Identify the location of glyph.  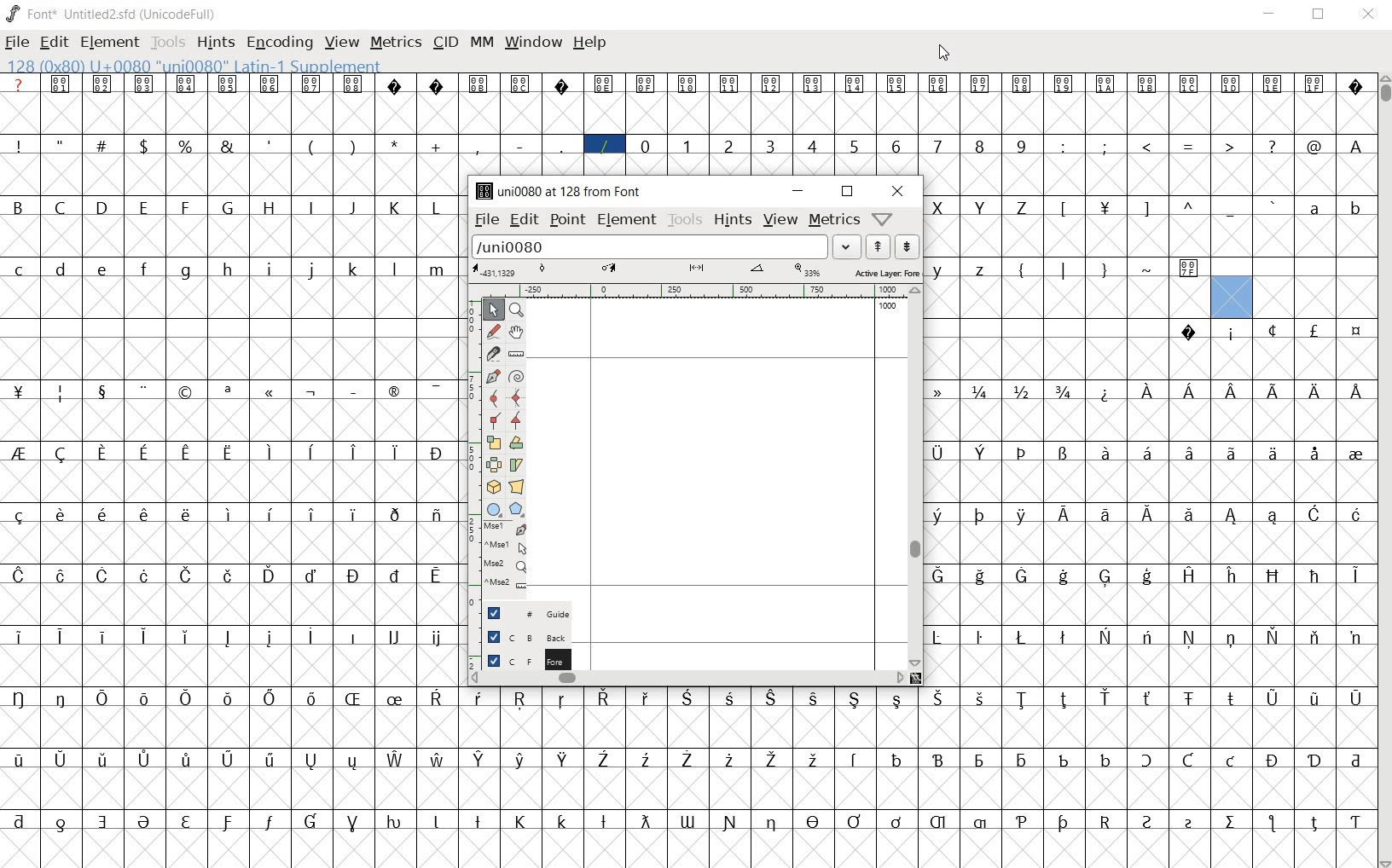
(1232, 576).